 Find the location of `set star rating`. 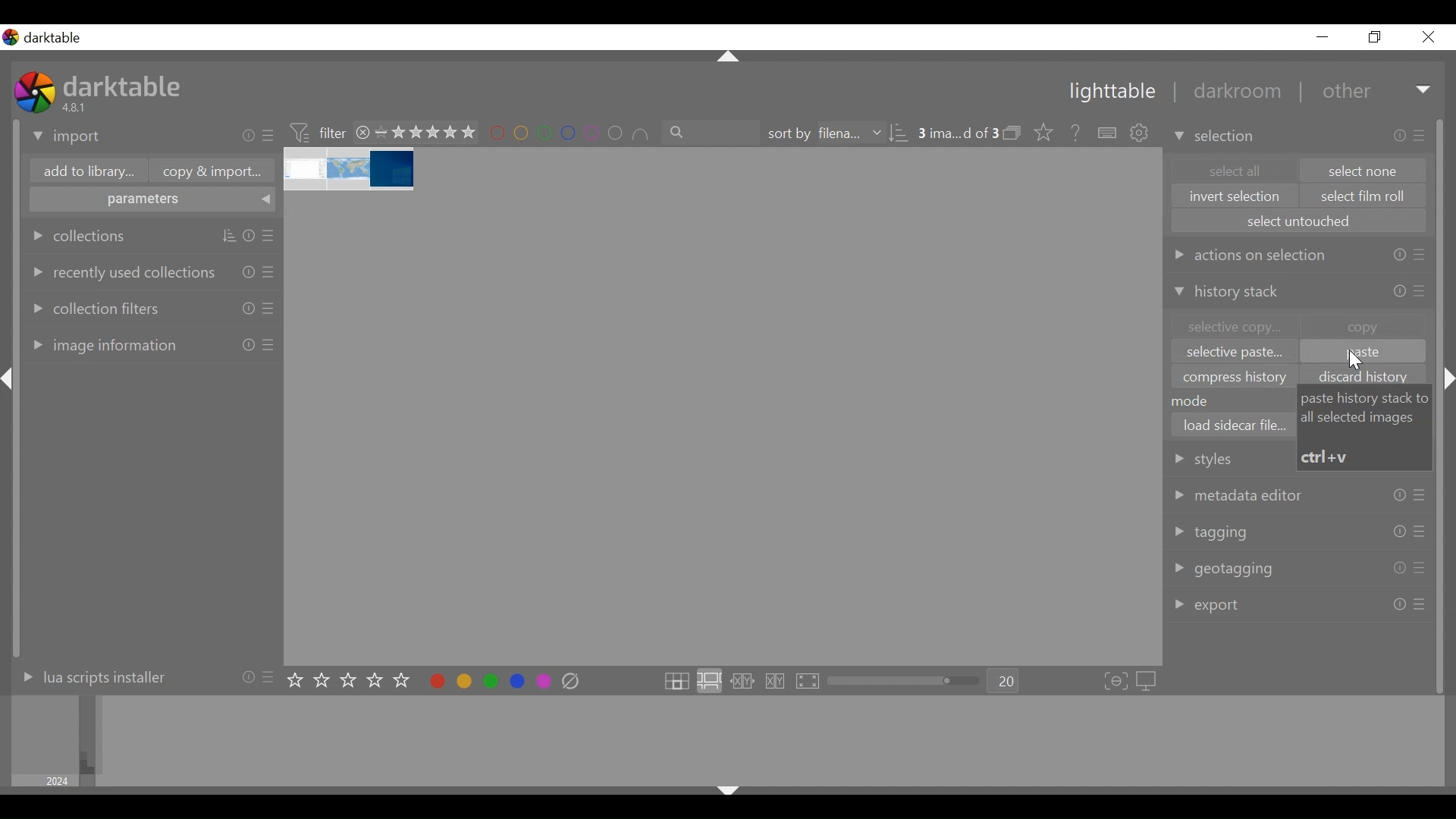

set star rating is located at coordinates (353, 681).